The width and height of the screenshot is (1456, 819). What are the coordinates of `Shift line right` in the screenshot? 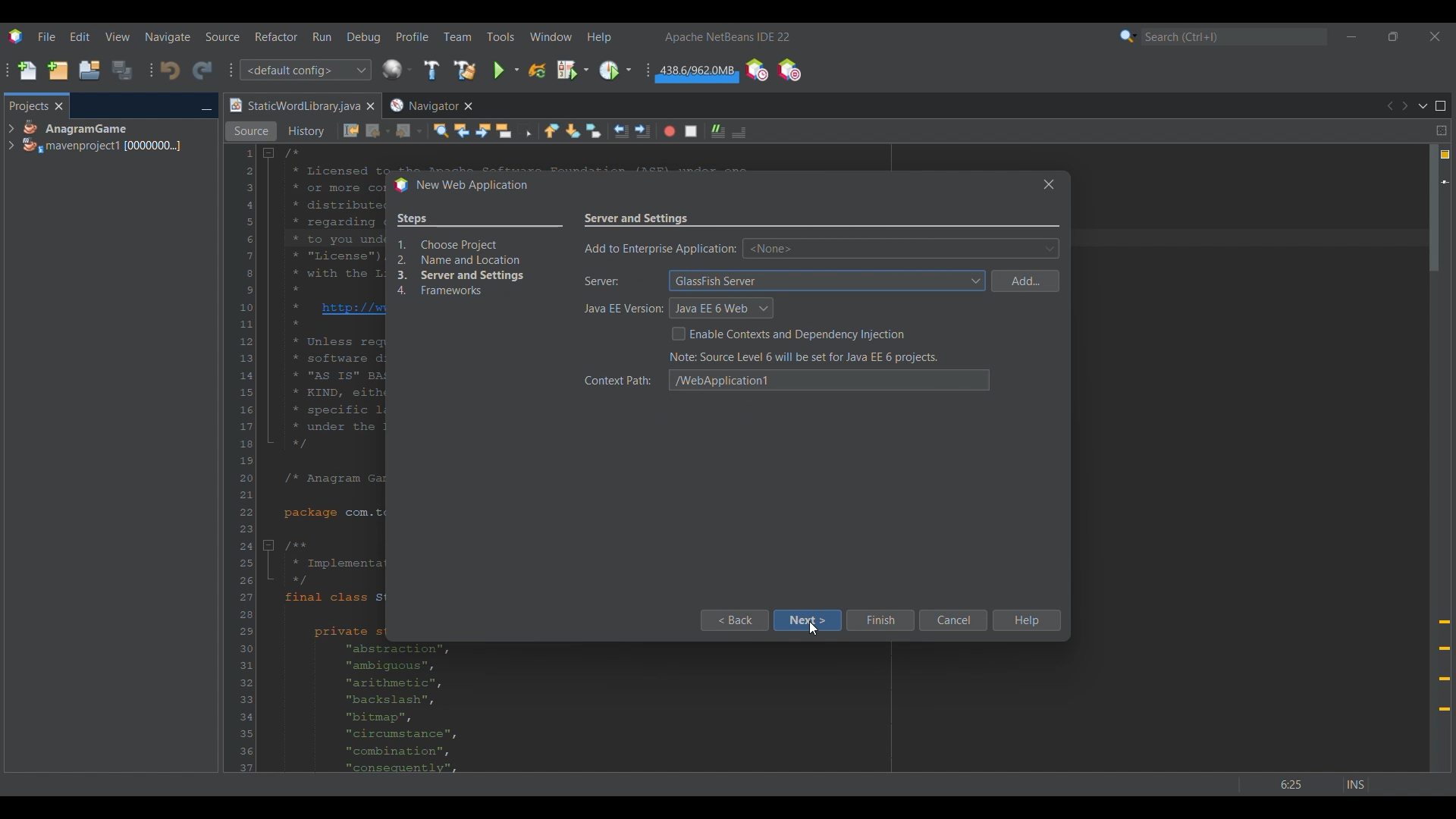 It's located at (642, 131).